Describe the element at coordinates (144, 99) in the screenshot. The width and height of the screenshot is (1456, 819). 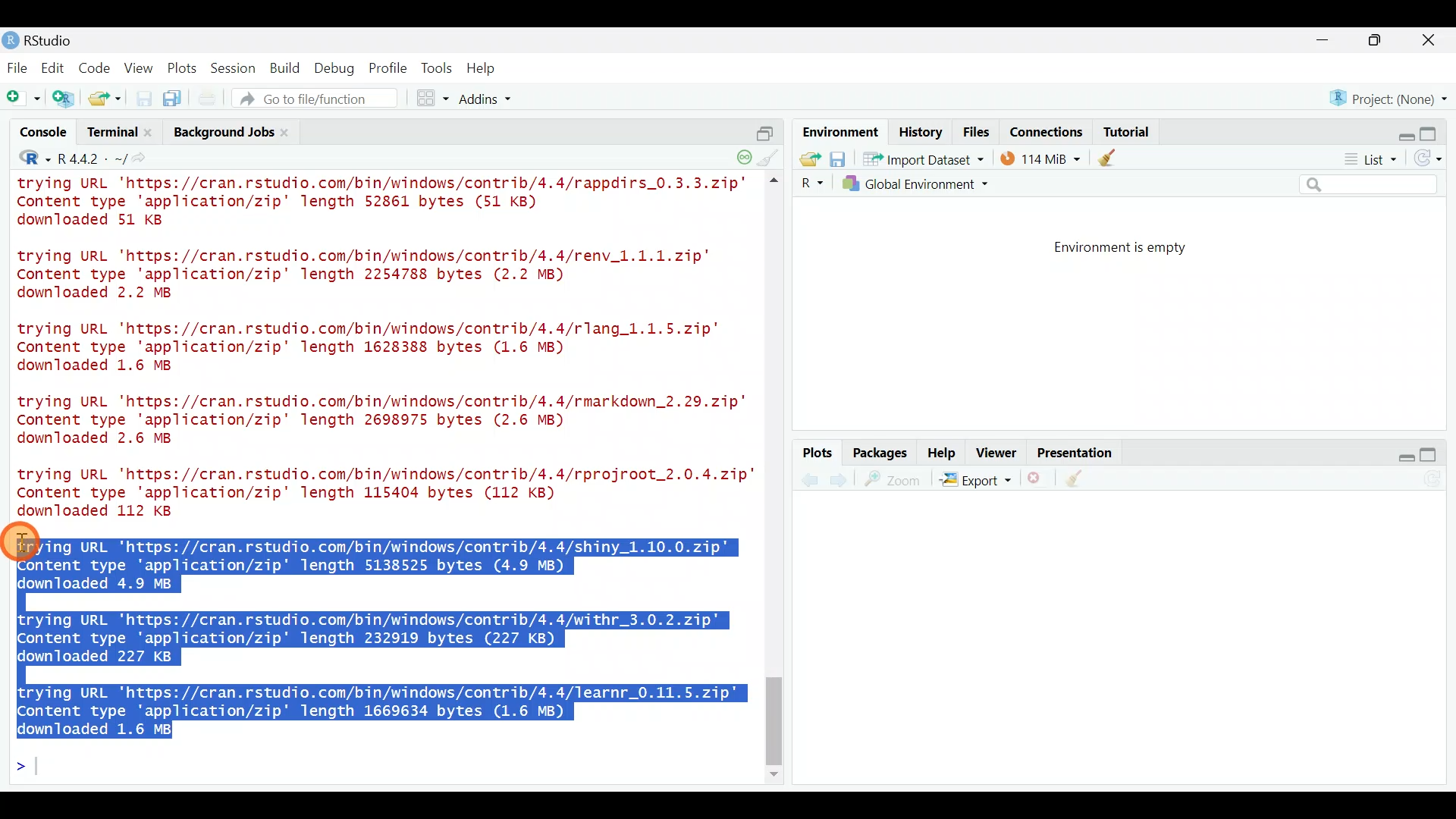
I see `Save current document` at that location.